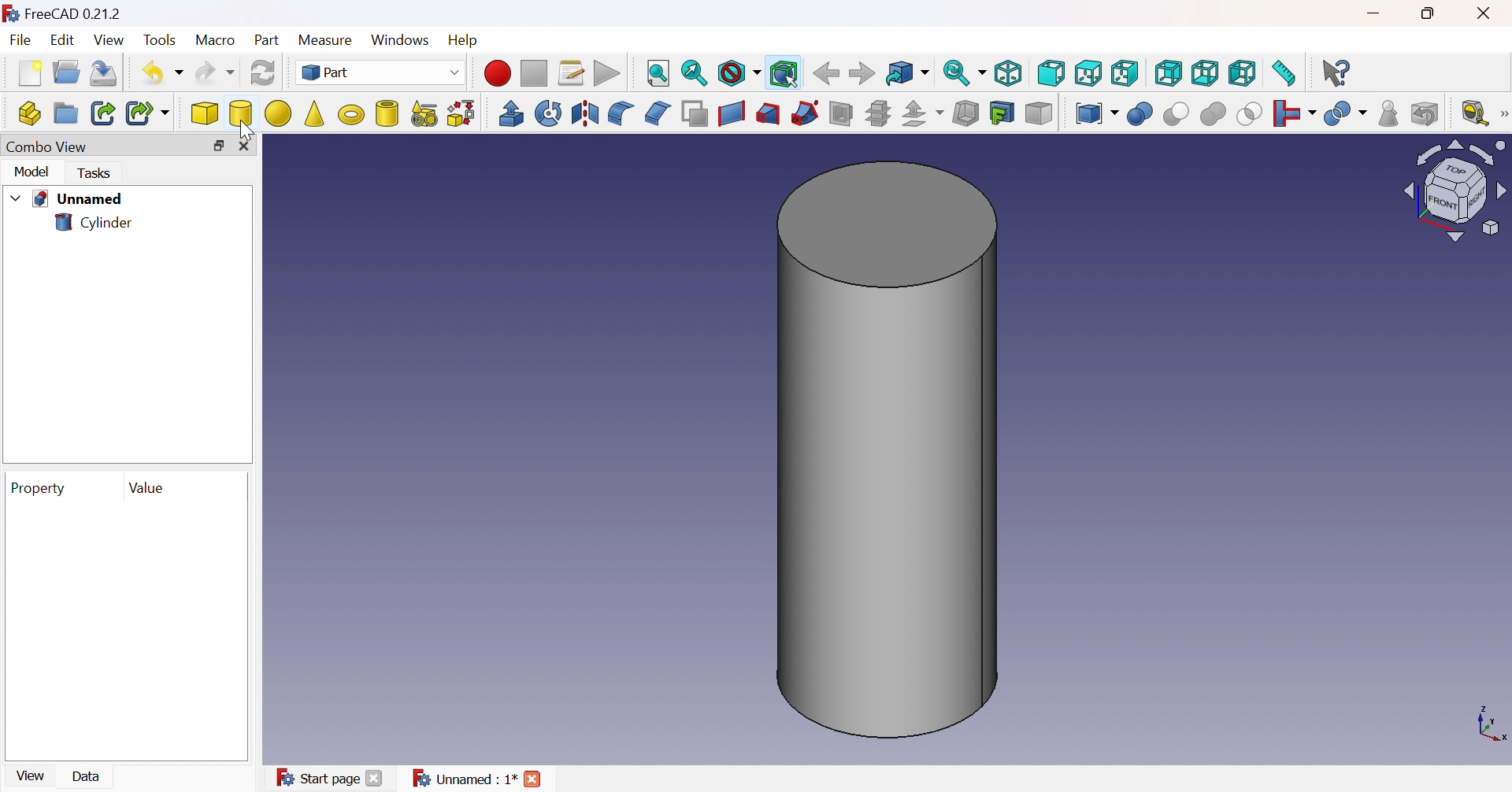 The image size is (1512, 792). Describe the element at coordinates (106, 73) in the screenshot. I see `Save` at that location.